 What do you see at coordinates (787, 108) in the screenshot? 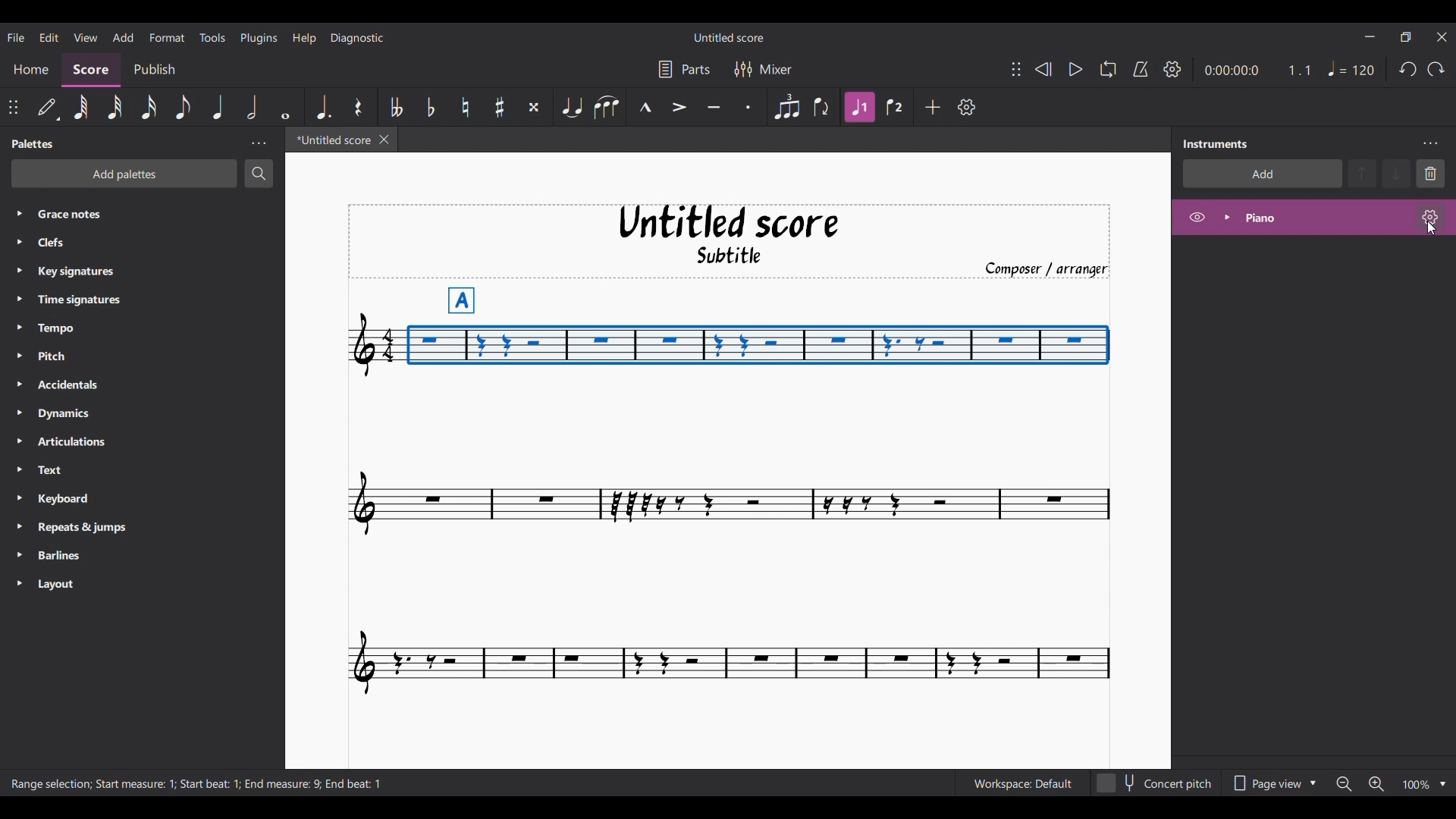
I see `Tuplet` at bounding box center [787, 108].